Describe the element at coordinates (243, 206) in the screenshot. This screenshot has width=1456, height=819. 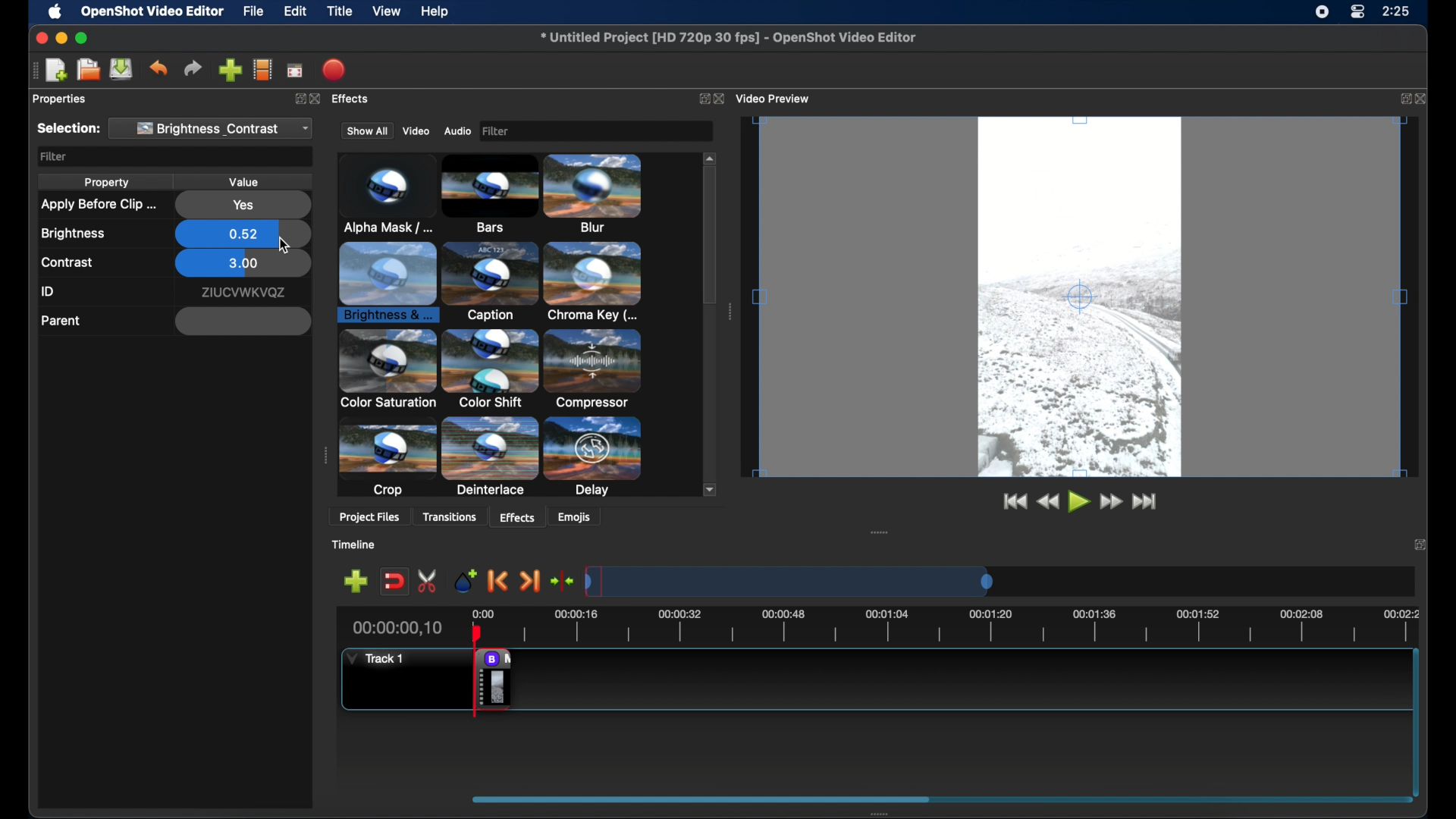
I see `yes` at that location.